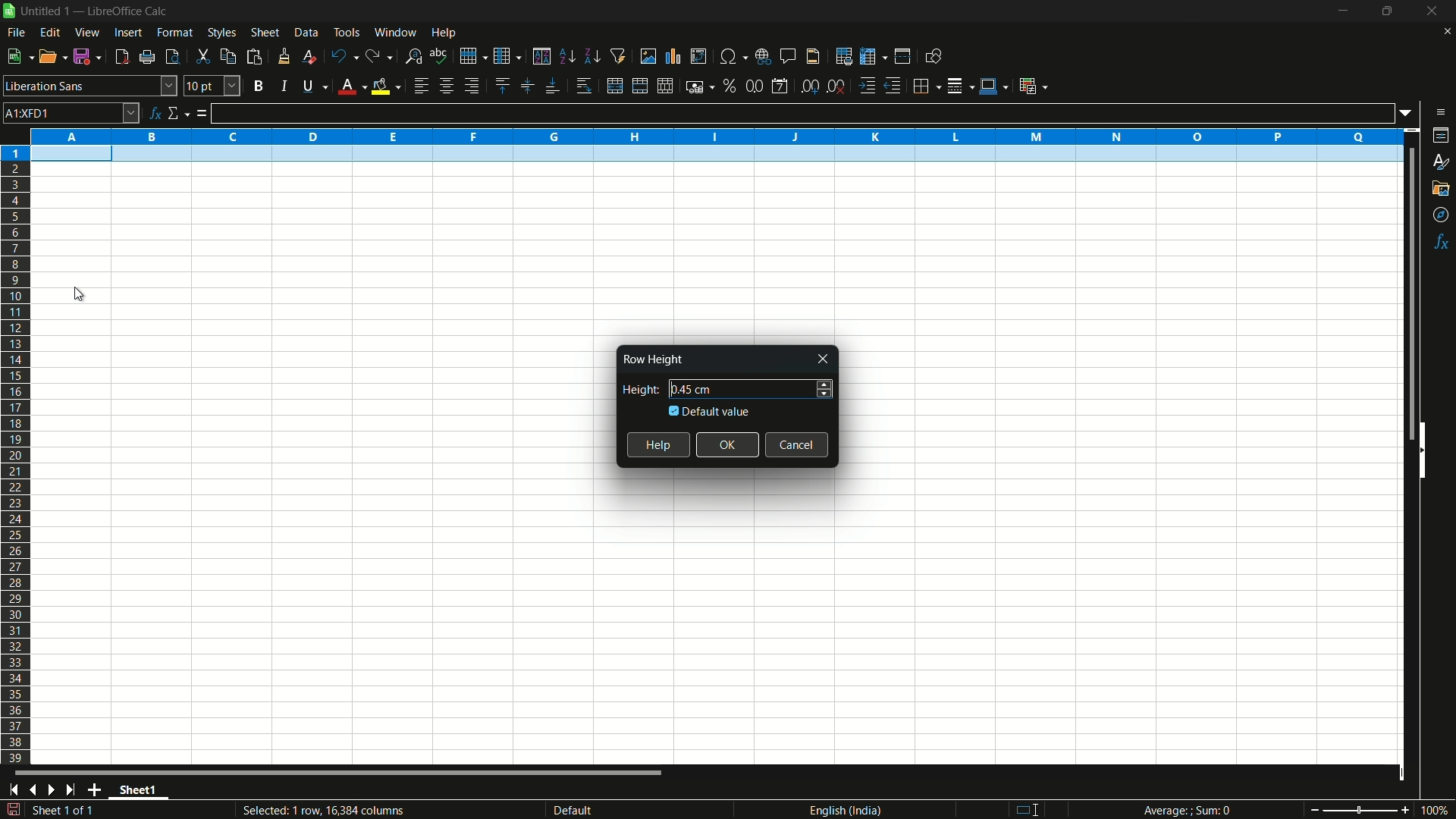 The image size is (1456, 819). What do you see at coordinates (32, 790) in the screenshot?
I see `previous sheet` at bounding box center [32, 790].